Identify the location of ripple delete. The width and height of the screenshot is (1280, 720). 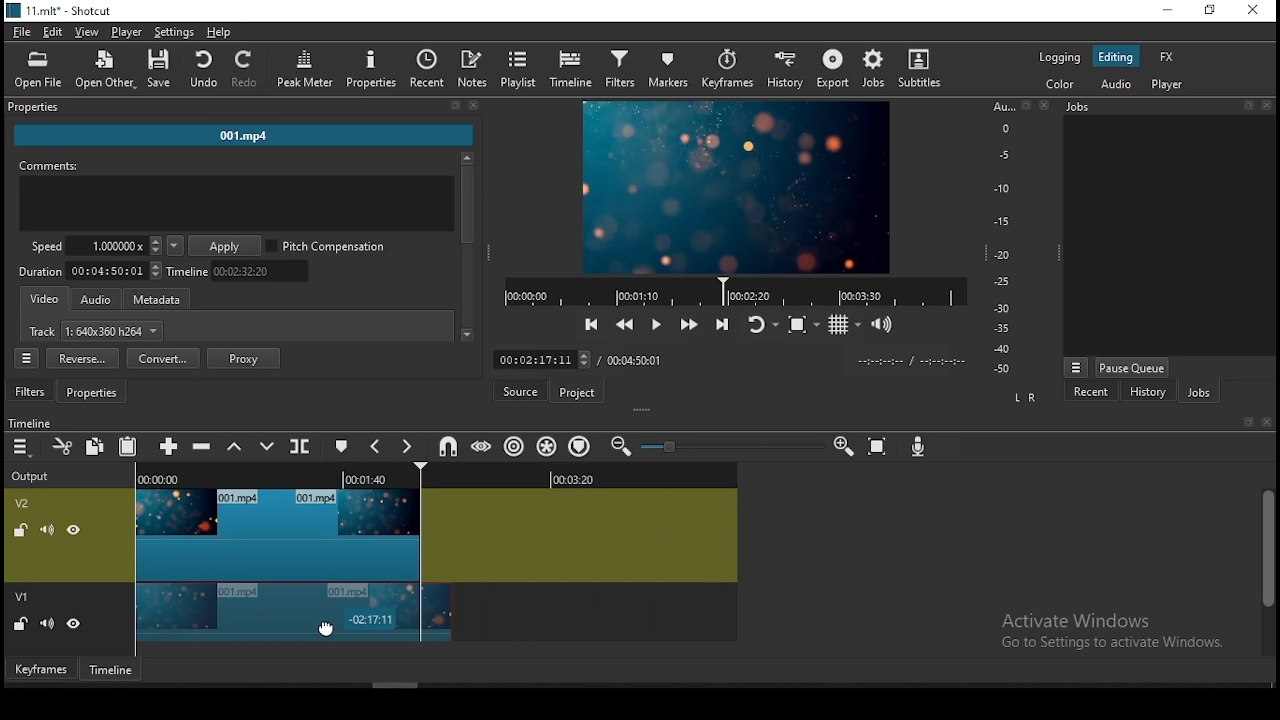
(205, 445).